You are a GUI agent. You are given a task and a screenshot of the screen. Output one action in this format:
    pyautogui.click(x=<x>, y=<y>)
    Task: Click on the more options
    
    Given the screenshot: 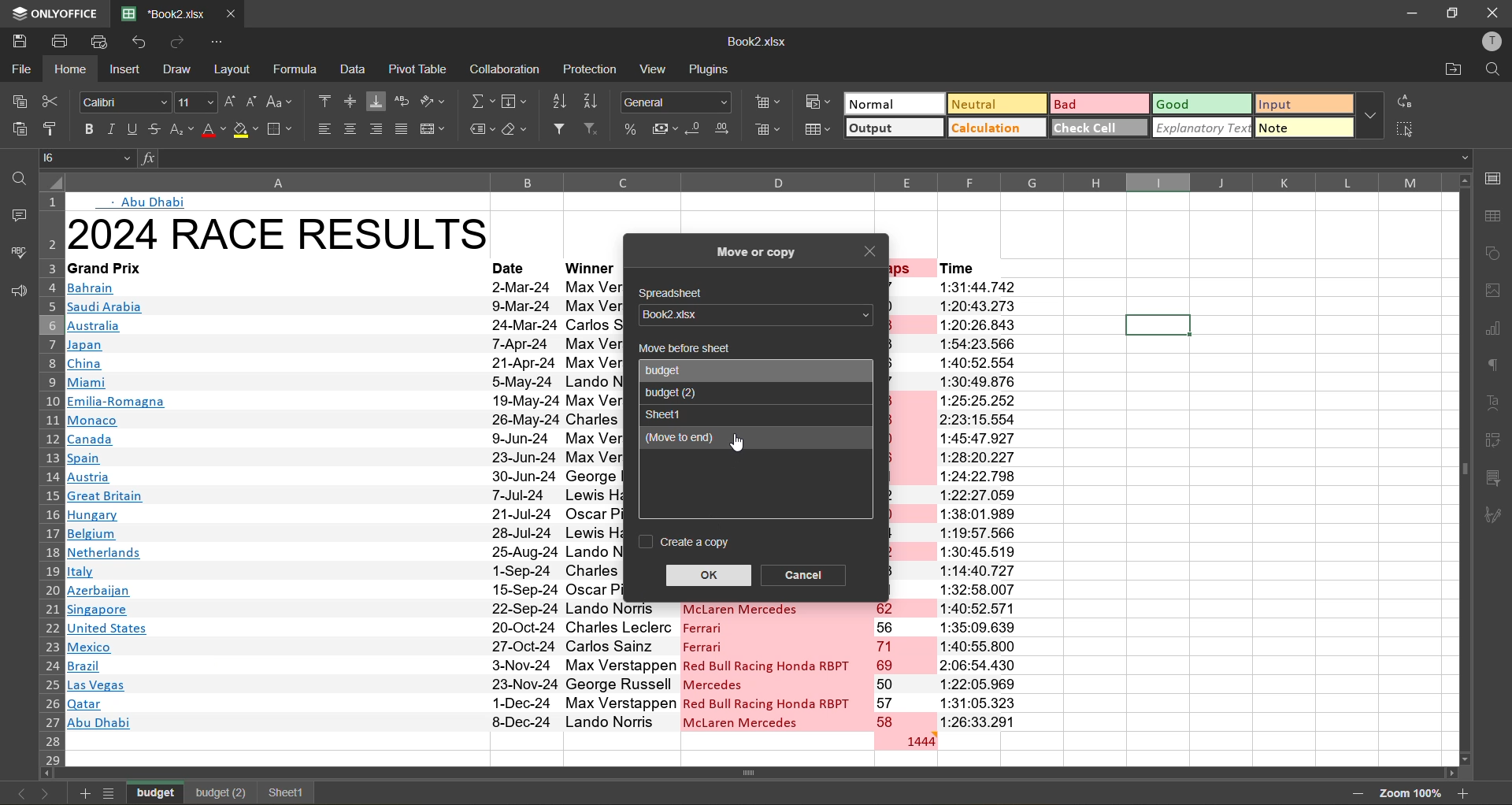 What is the action you would take?
    pyautogui.click(x=1369, y=116)
    